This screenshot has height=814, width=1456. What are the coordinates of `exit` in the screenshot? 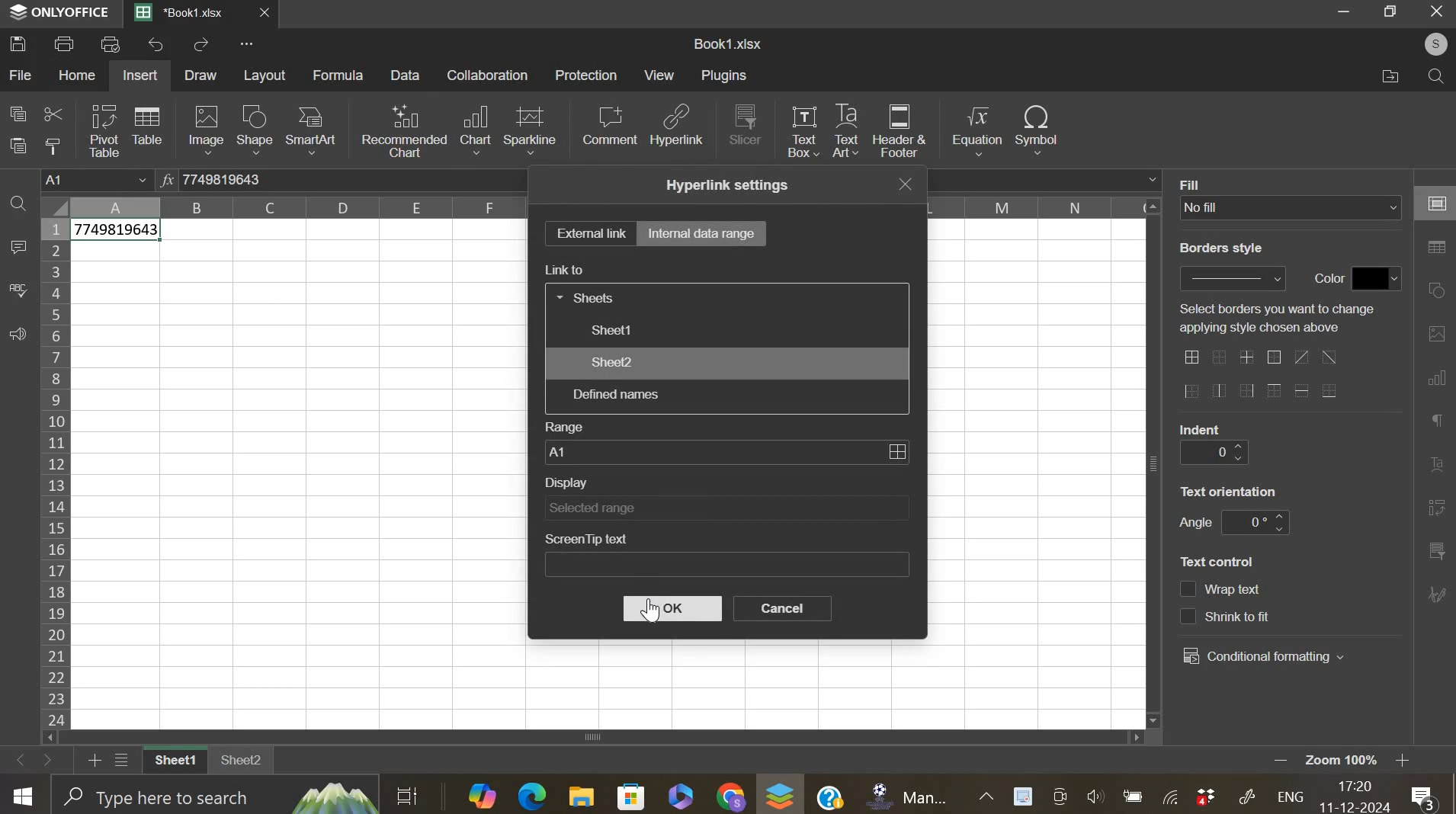 It's located at (909, 184).